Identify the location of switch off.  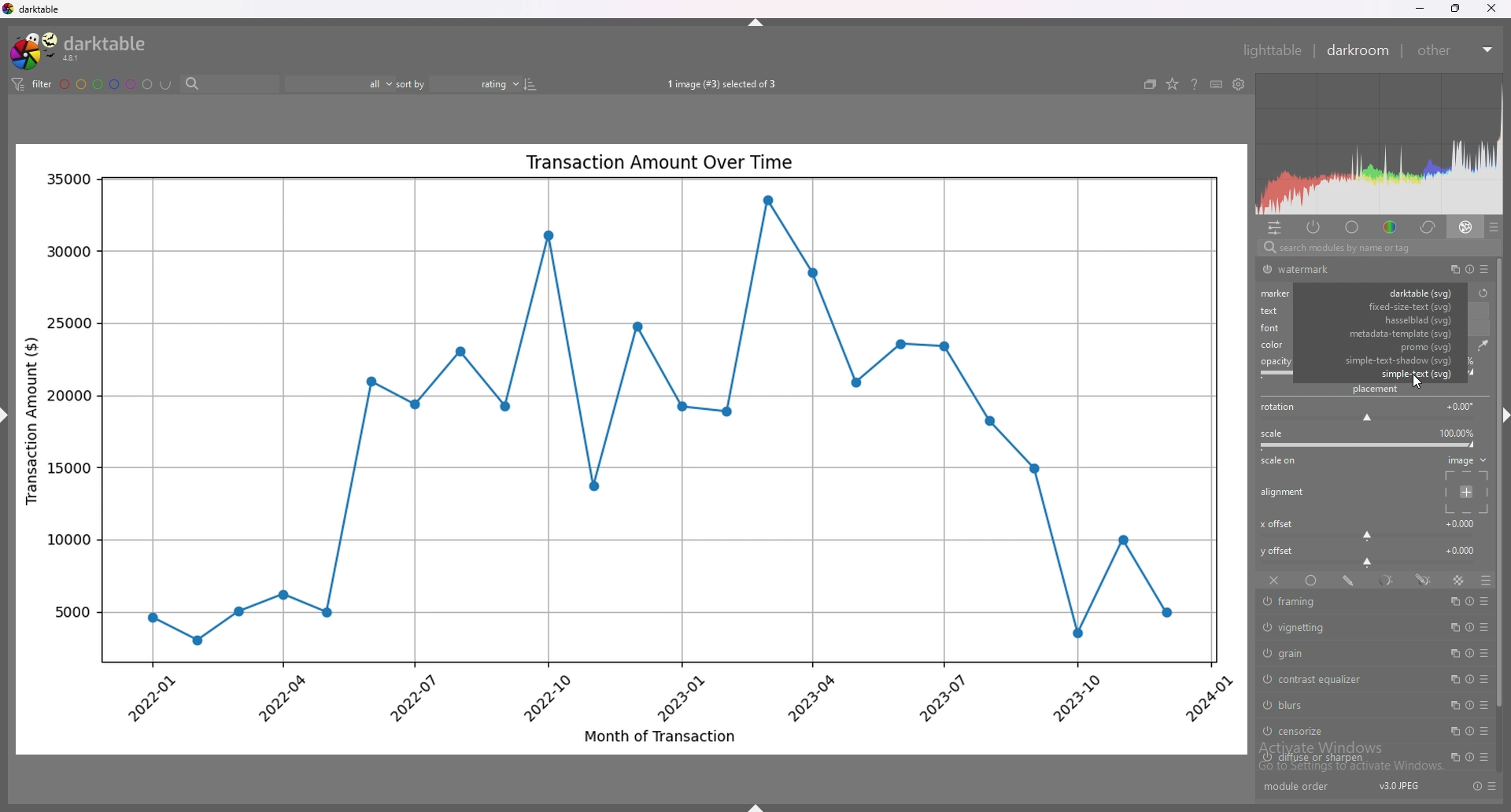
(1265, 652).